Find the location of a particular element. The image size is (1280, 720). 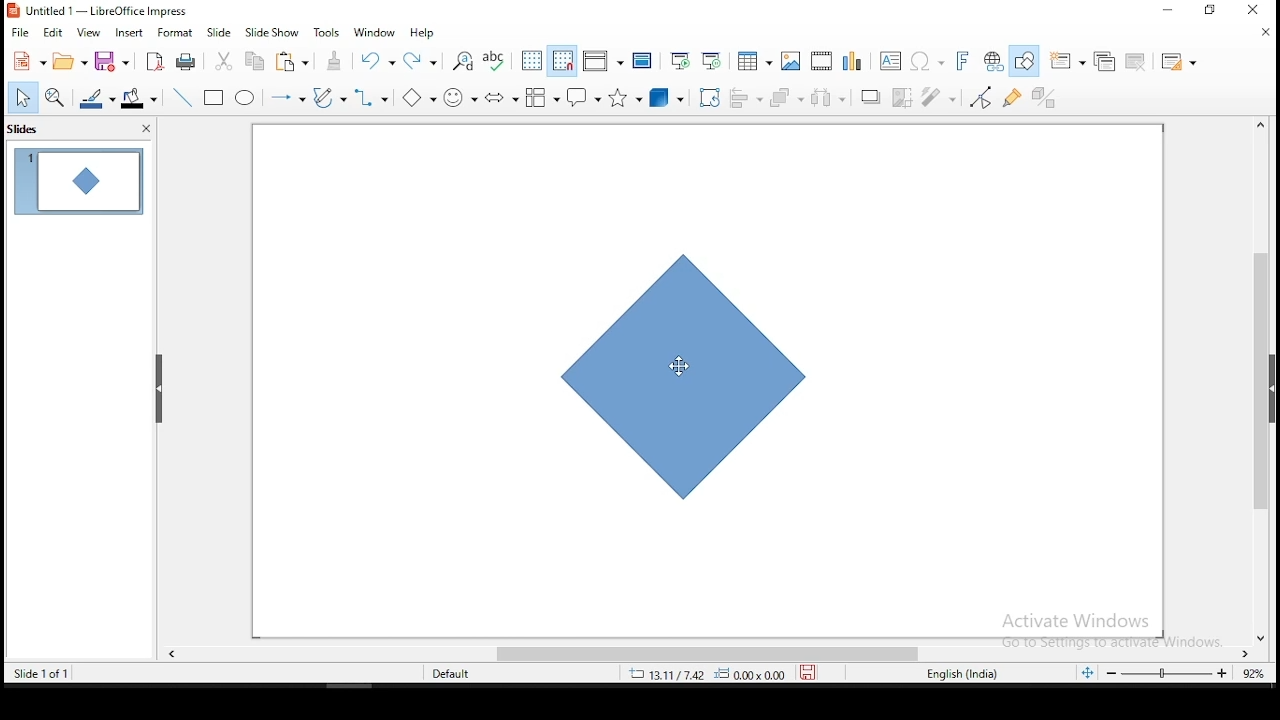

view is located at coordinates (87, 32).